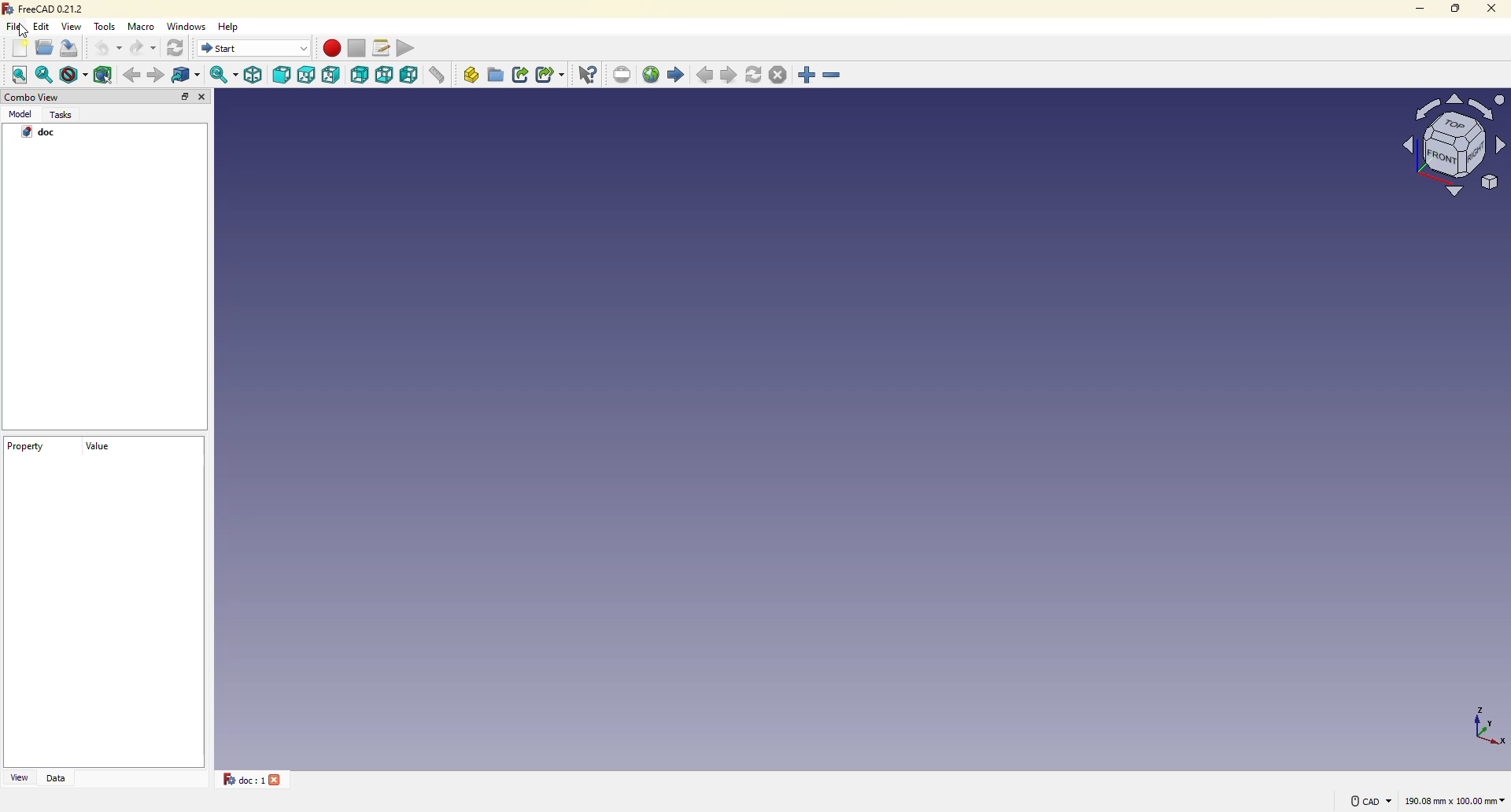 This screenshot has width=1511, height=812. I want to click on draw style, so click(74, 77).